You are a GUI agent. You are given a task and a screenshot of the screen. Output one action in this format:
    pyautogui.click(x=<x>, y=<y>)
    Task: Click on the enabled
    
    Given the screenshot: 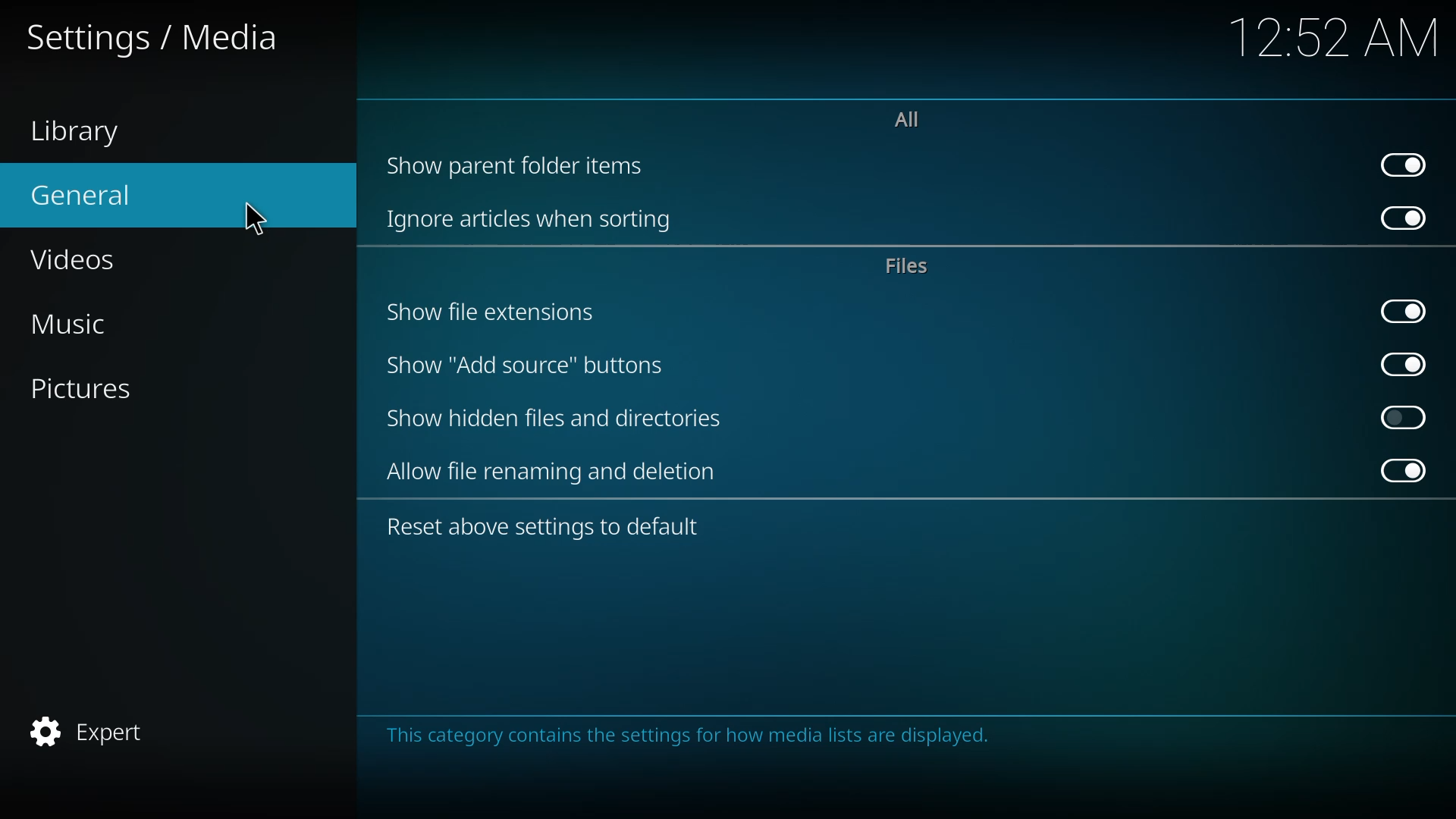 What is the action you would take?
    pyautogui.click(x=1404, y=216)
    